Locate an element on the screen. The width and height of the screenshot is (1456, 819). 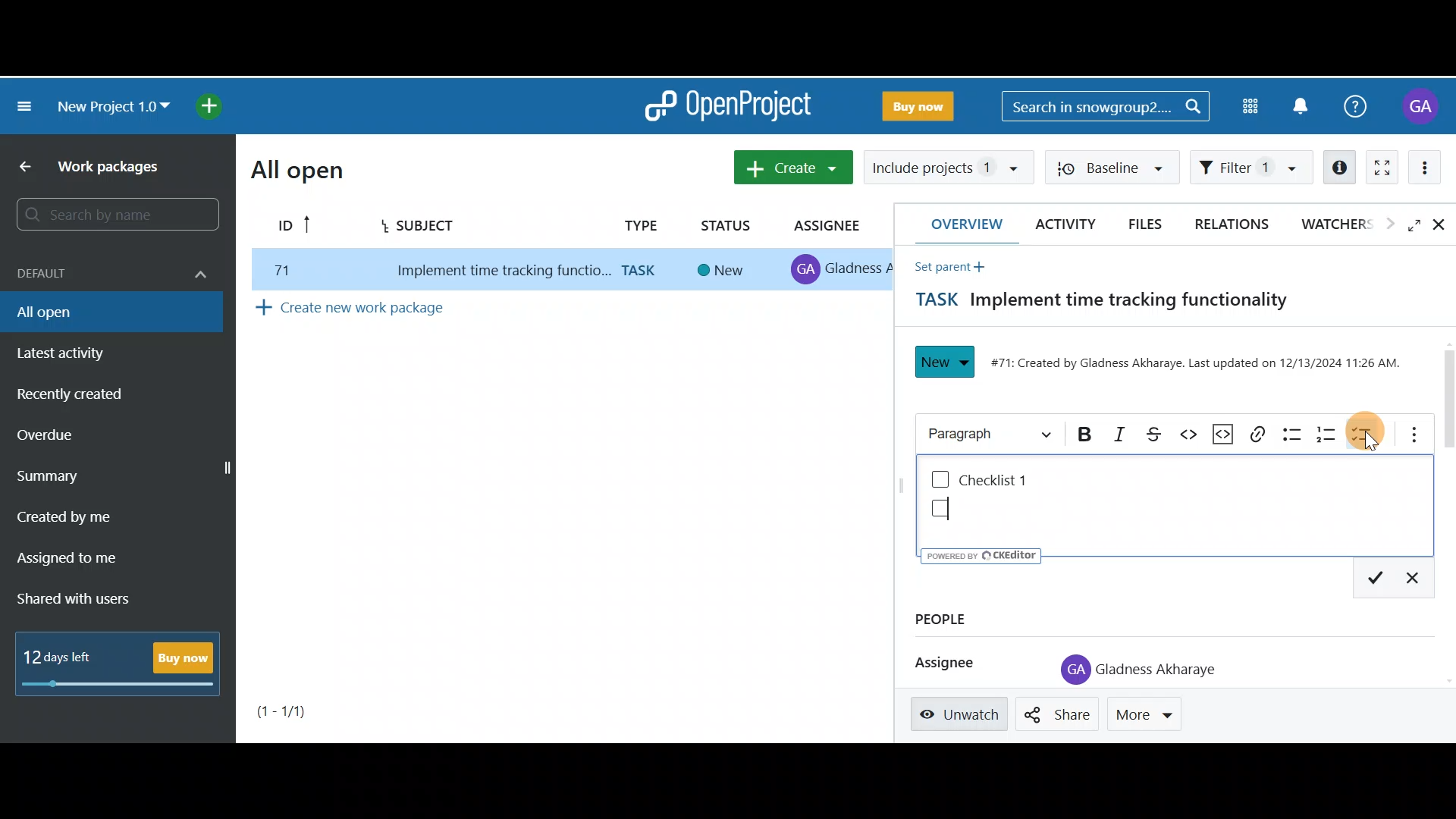
Numbered list is located at coordinates (1329, 431).